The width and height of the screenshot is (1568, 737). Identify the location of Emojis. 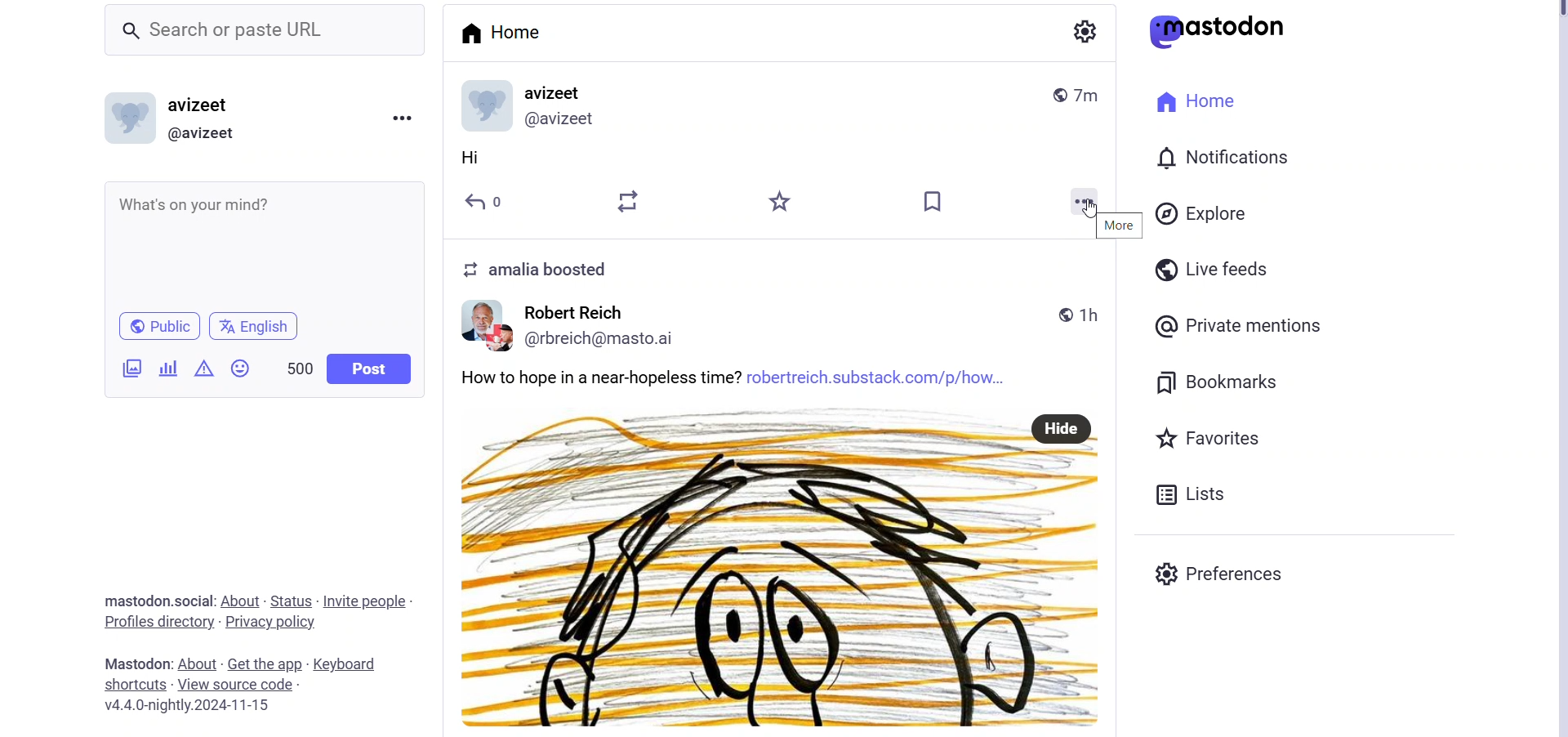
(241, 368).